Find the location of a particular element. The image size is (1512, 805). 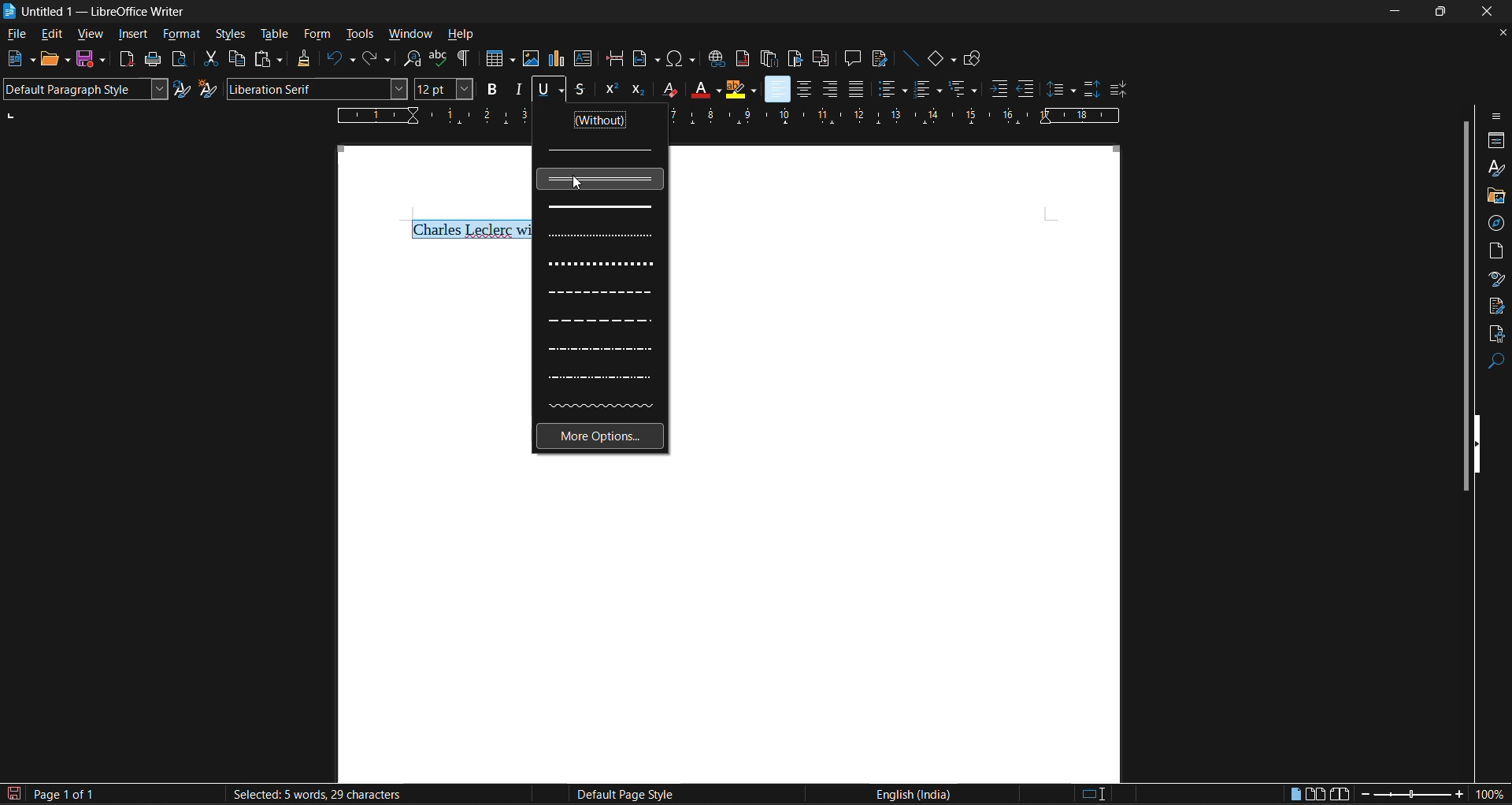

paste is located at coordinates (265, 59).